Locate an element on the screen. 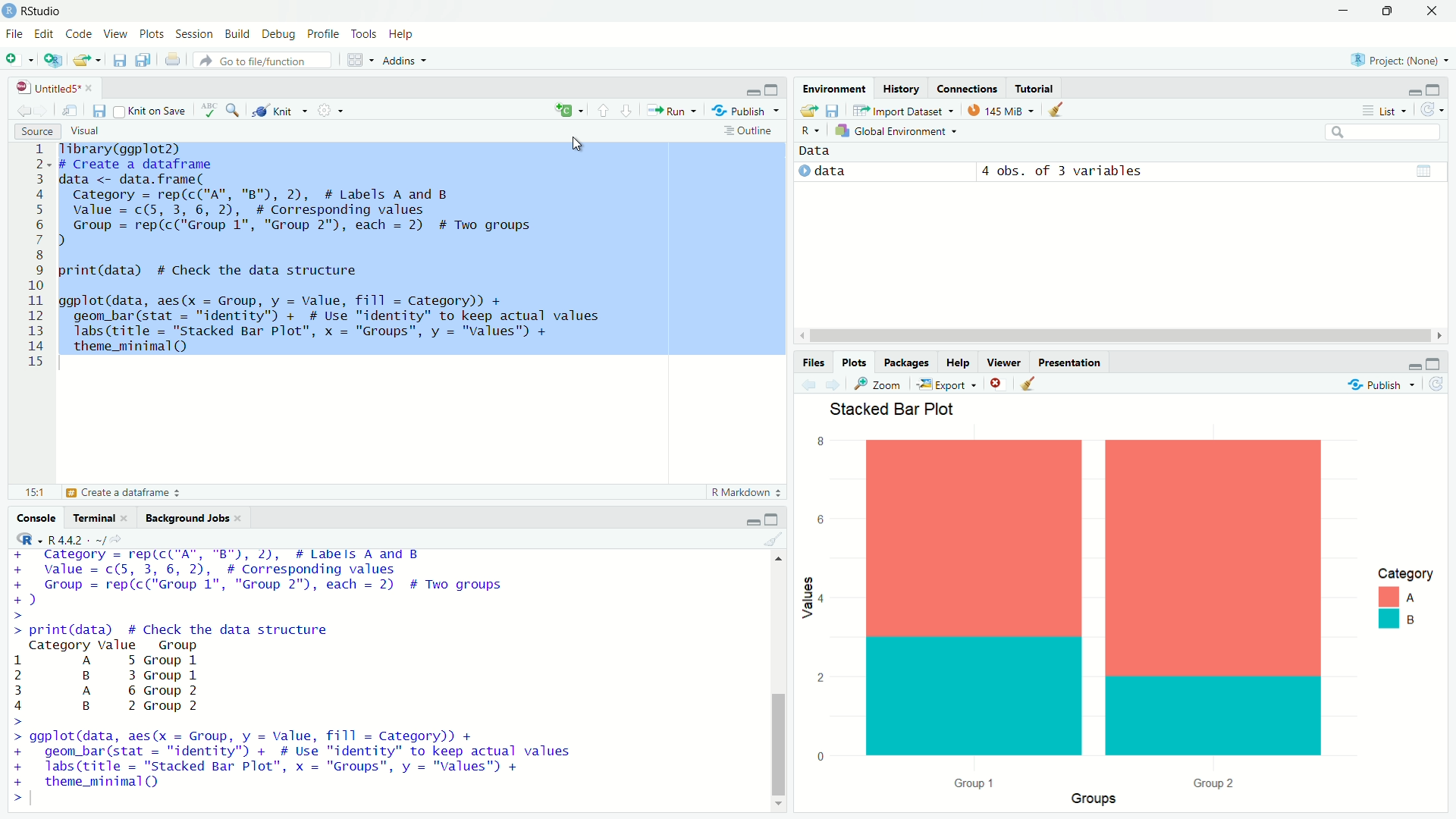 The image size is (1456, 819). Maximize is located at coordinates (1439, 363).